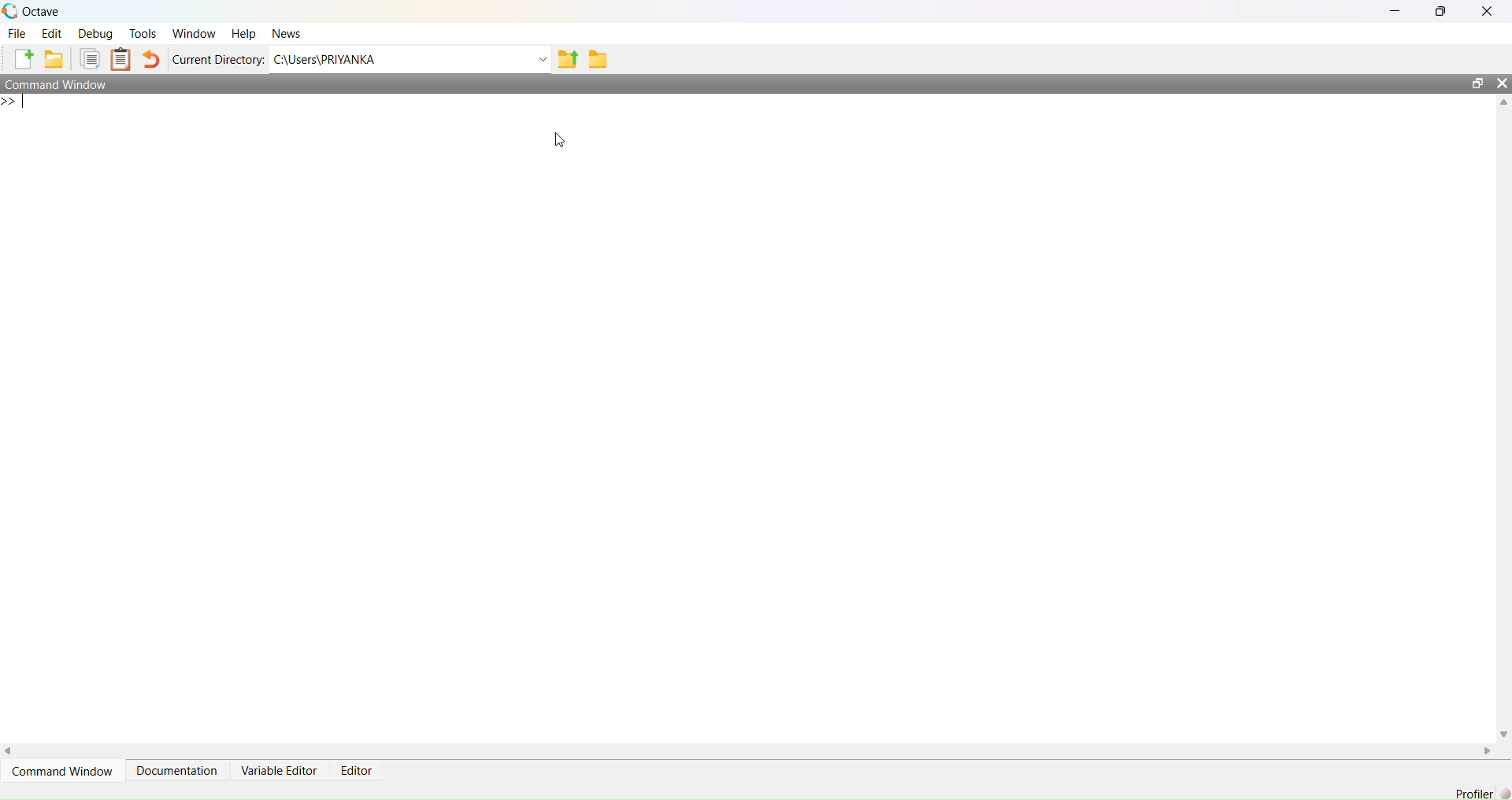 This screenshot has height=800, width=1512. What do you see at coordinates (1478, 83) in the screenshot?
I see `Undock Widget` at bounding box center [1478, 83].